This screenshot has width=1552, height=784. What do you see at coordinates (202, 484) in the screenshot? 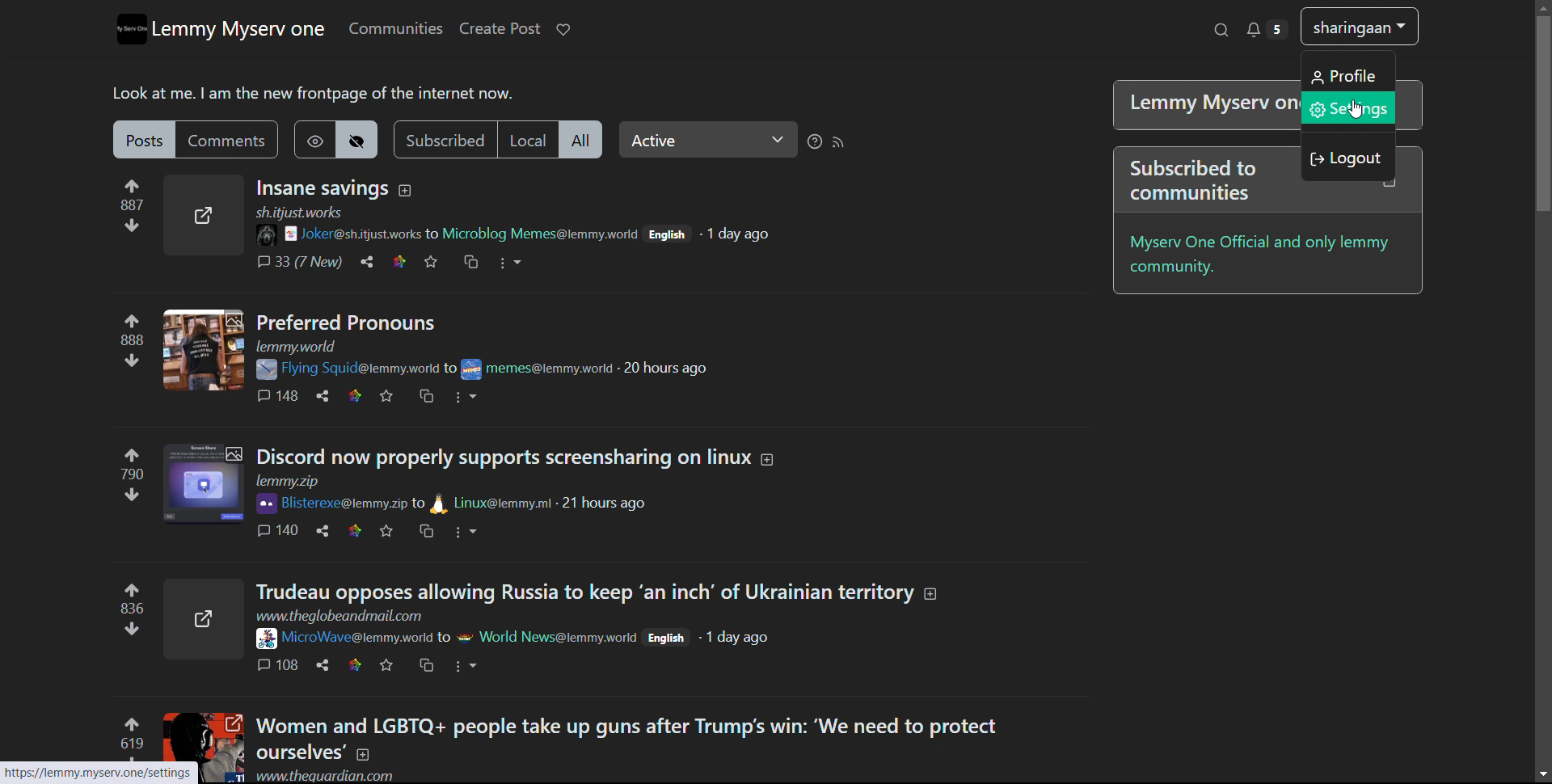
I see `expand here` at bounding box center [202, 484].